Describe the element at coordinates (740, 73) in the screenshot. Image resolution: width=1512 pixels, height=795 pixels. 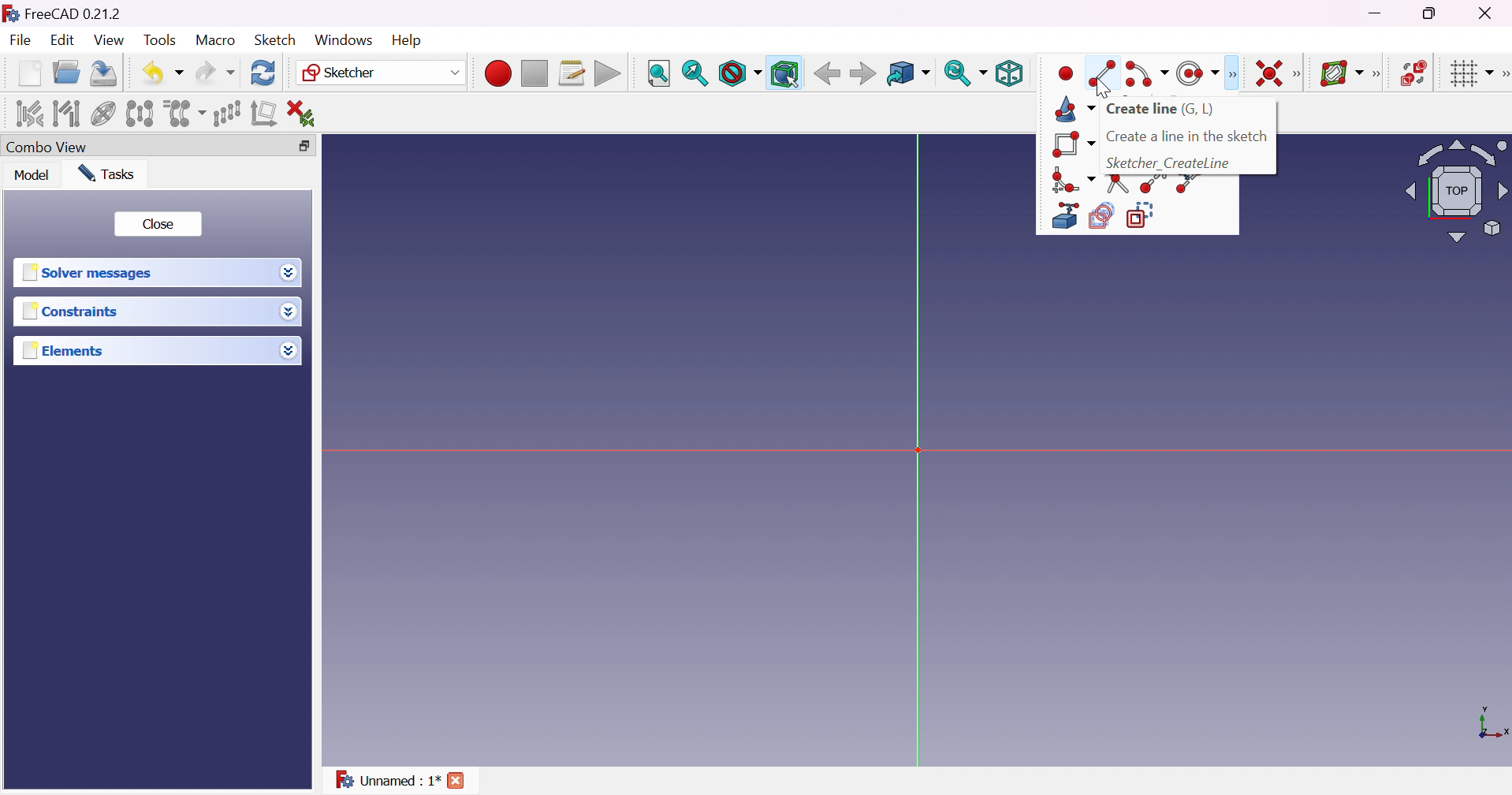
I see `Draw style` at that location.